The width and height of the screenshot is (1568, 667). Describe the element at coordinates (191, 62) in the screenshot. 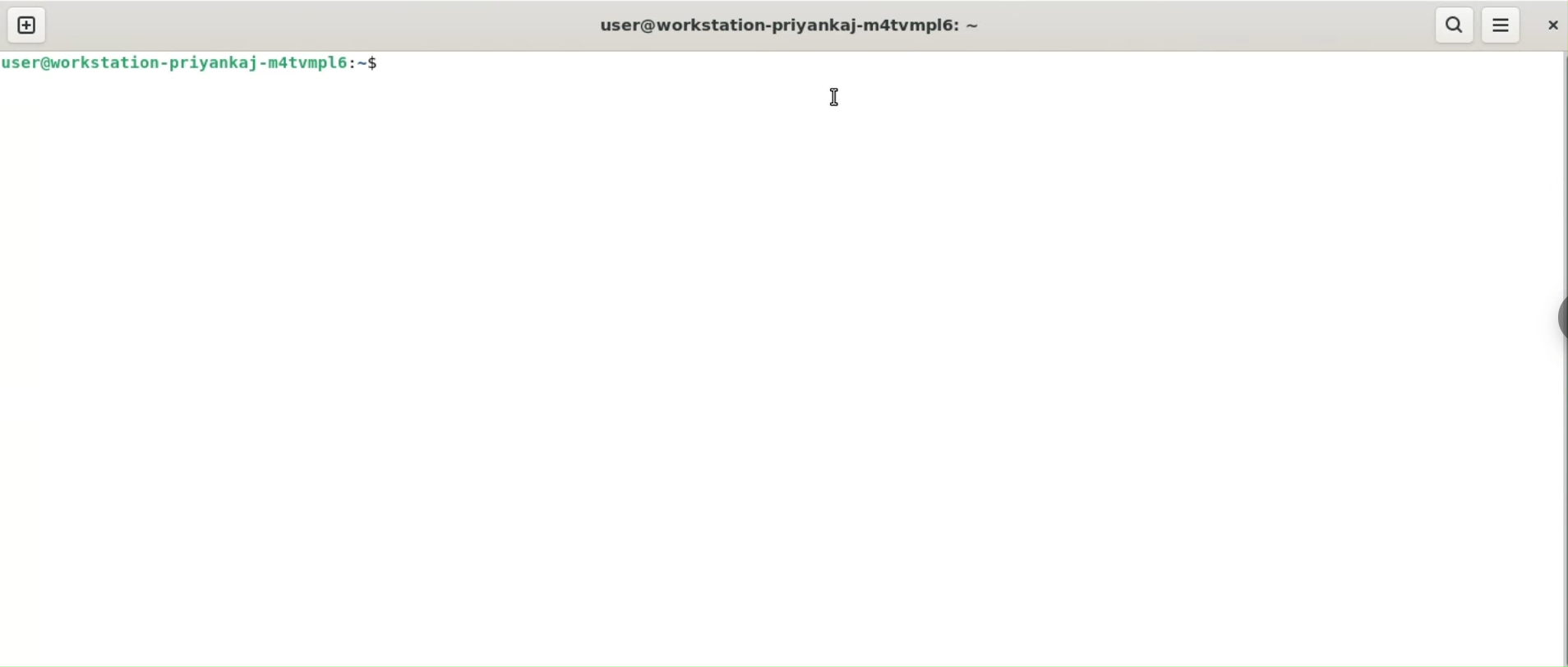

I see `user@workstation-priyankaj-m4tvmlp6:~$` at that location.